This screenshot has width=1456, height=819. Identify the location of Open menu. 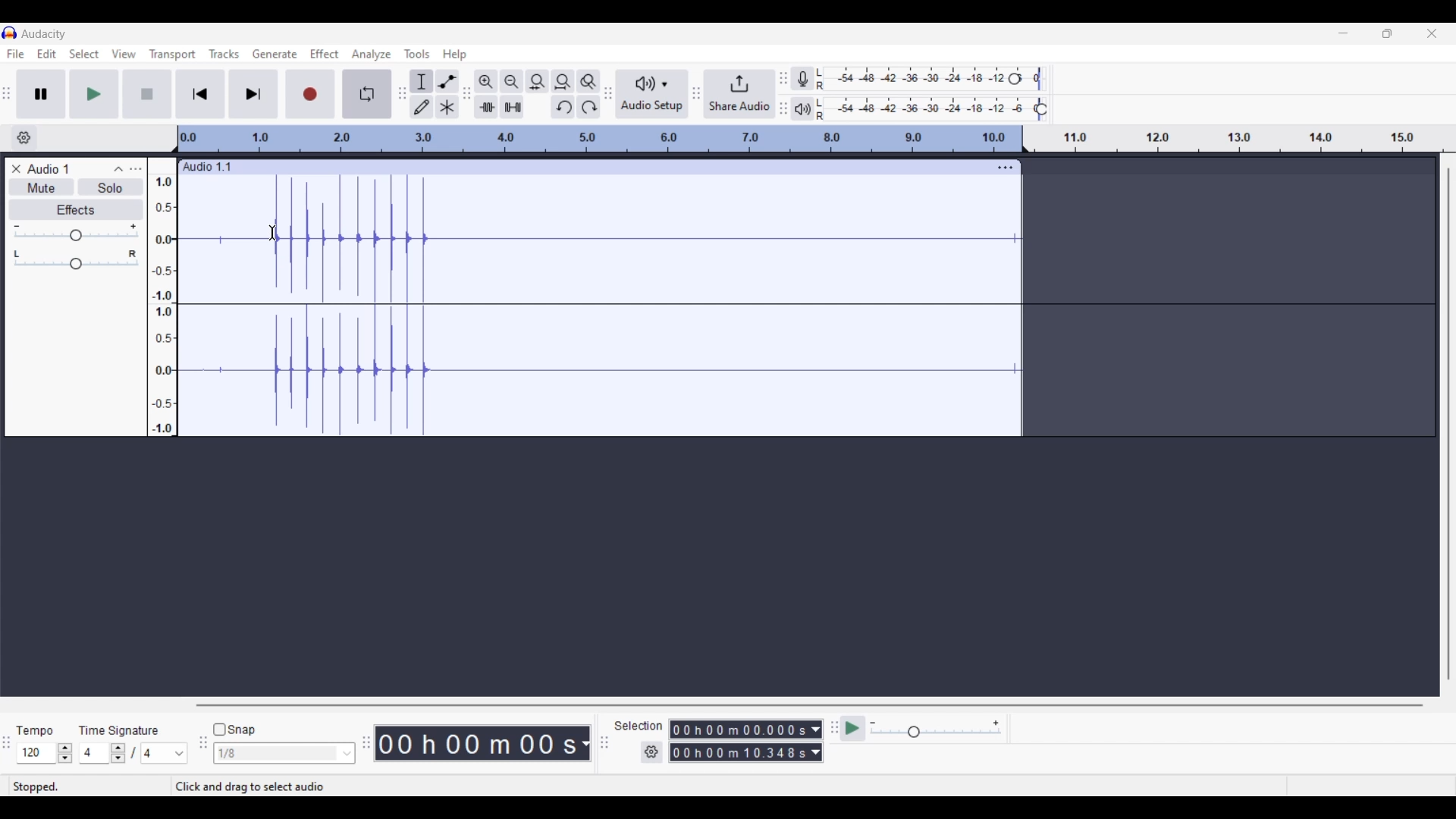
(135, 169).